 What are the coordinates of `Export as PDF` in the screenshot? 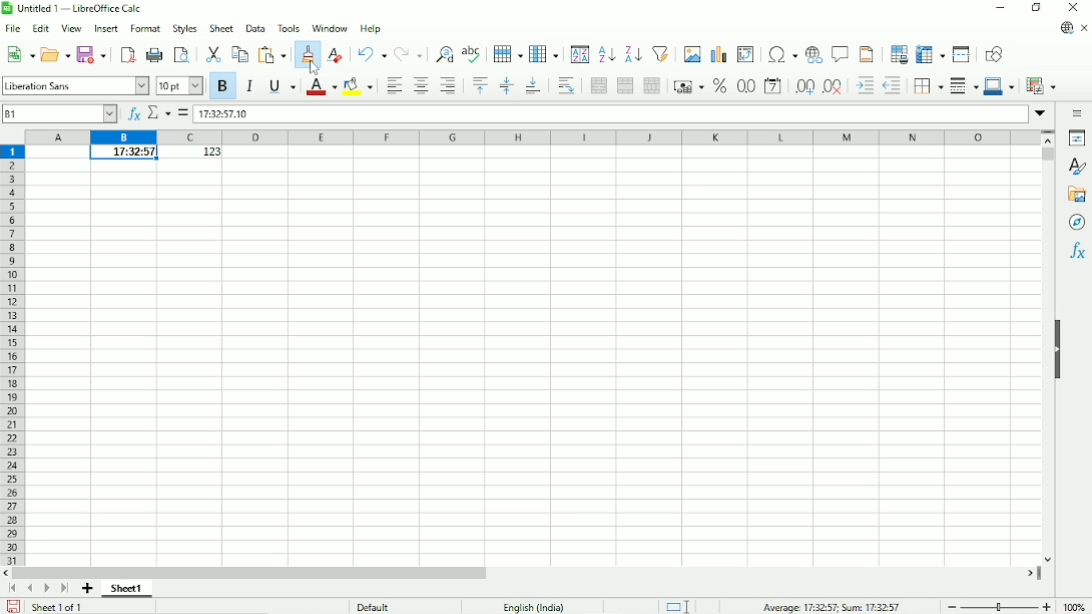 It's located at (126, 54).